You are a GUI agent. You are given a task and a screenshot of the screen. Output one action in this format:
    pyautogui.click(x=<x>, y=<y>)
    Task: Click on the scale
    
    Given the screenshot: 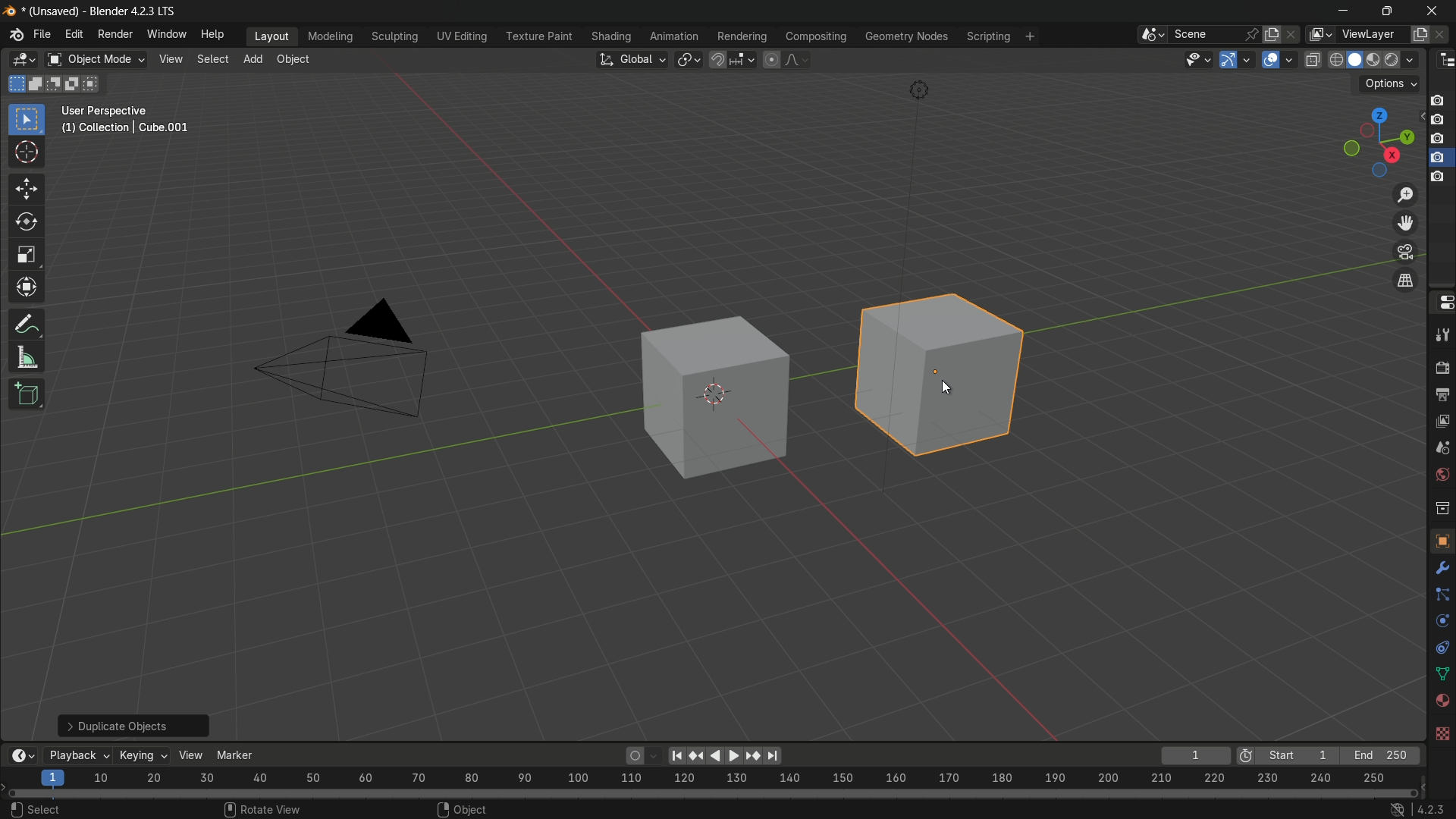 What is the action you would take?
    pyautogui.click(x=27, y=256)
    